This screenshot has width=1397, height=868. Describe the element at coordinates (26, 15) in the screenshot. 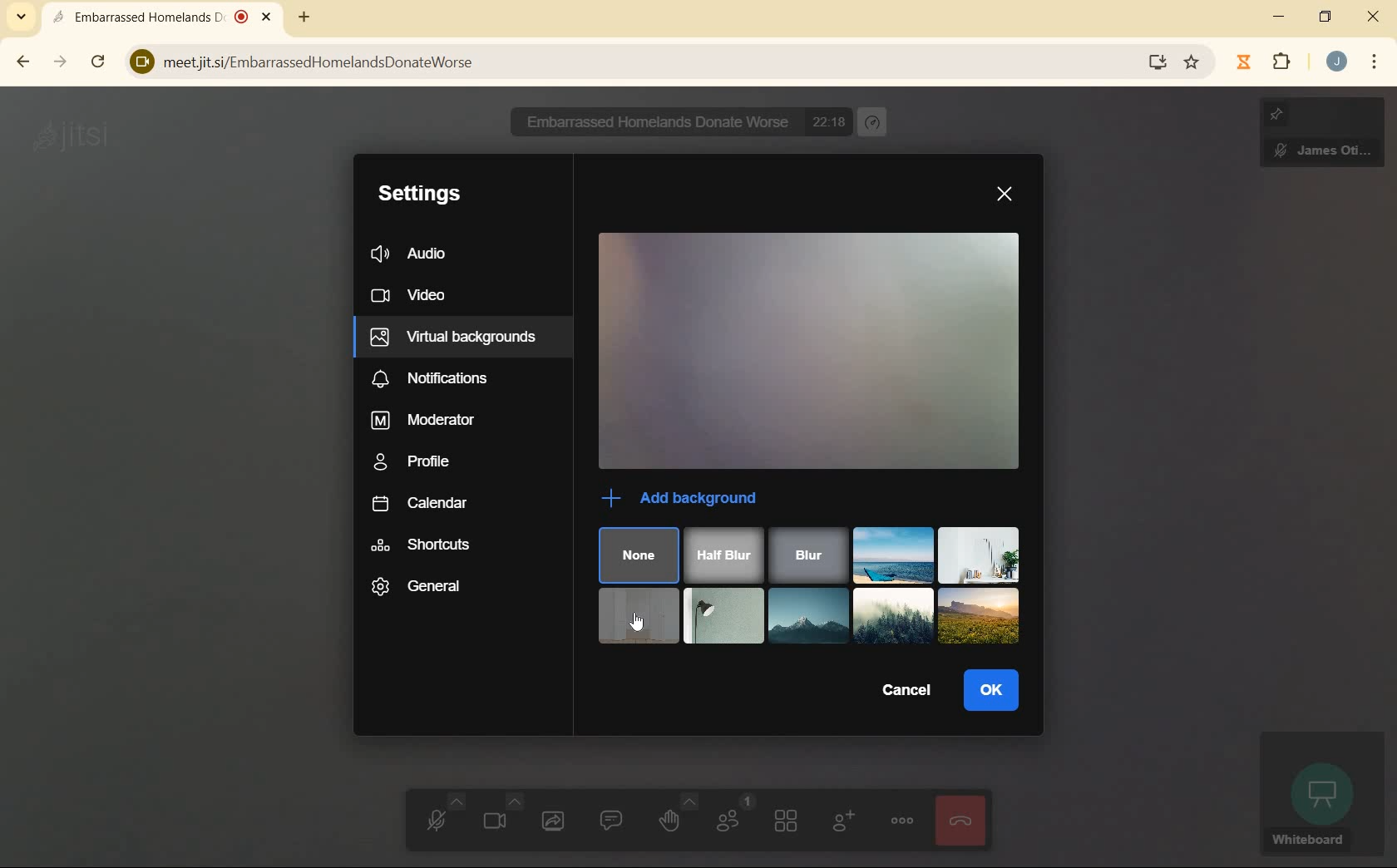

I see `search tabs` at that location.